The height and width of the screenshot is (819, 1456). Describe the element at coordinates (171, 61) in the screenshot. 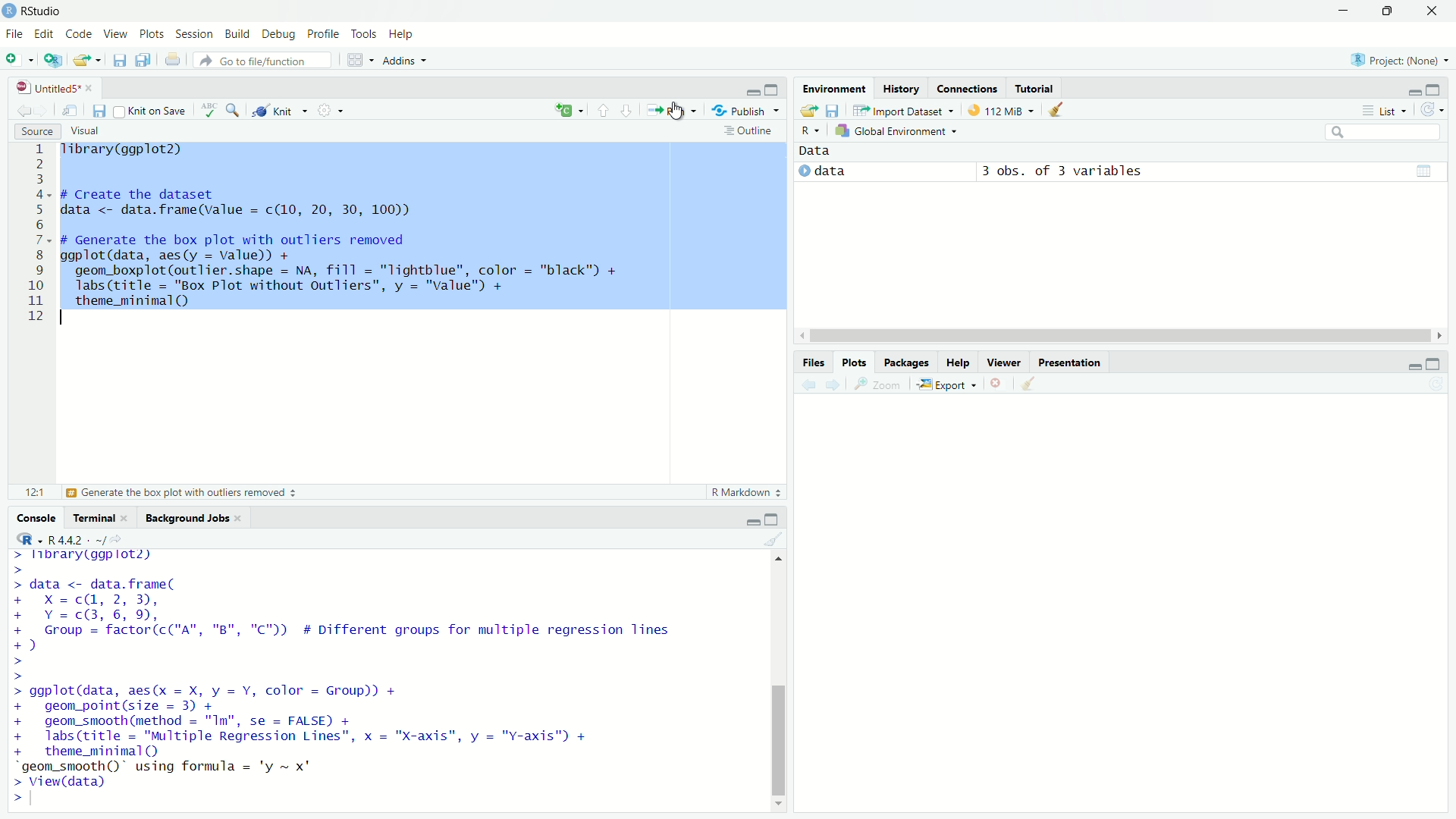

I see `print` at that location.